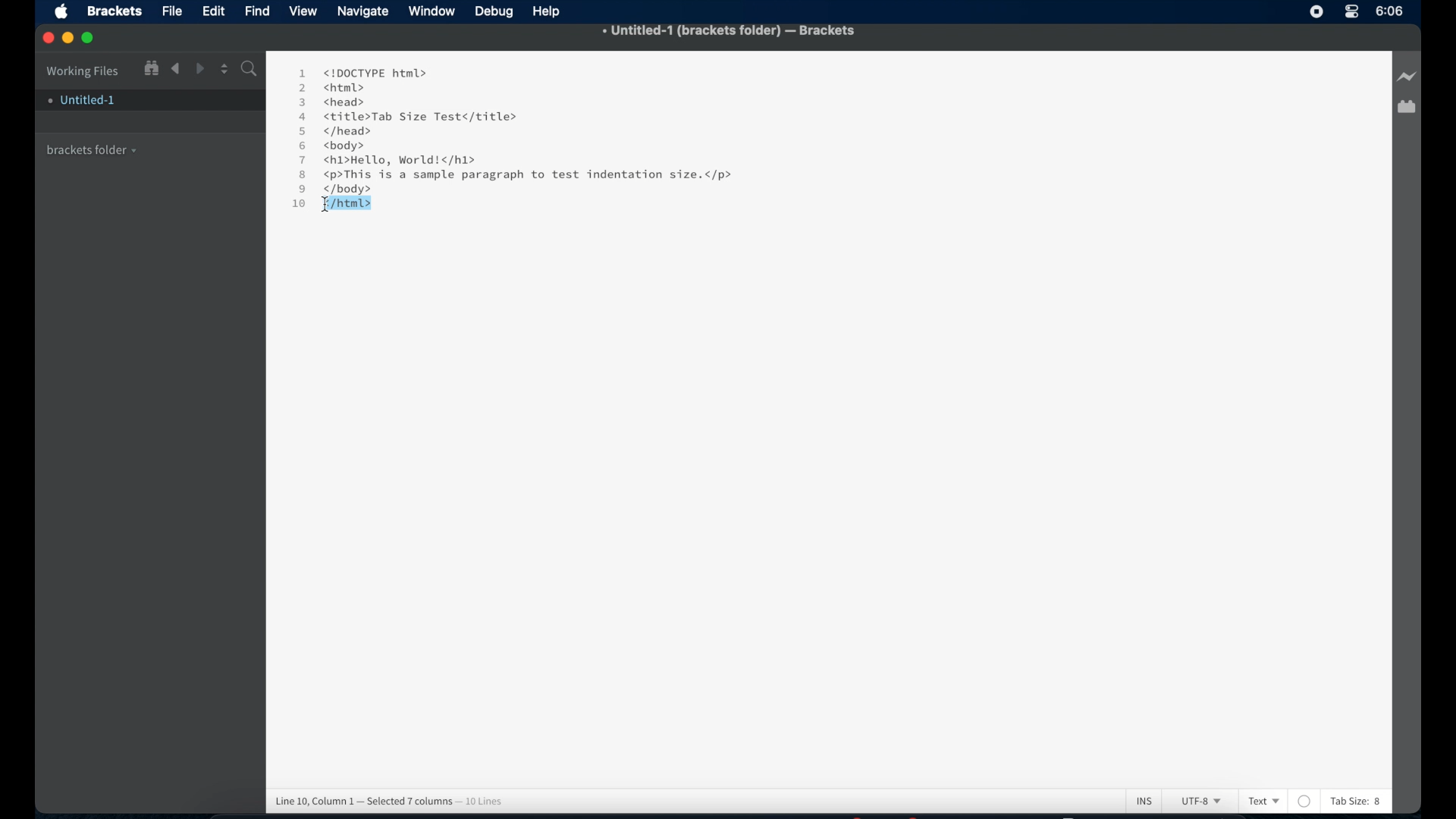  Describe the element at coordinates (434, 11) in the screenshot. I see `Window` at that location.